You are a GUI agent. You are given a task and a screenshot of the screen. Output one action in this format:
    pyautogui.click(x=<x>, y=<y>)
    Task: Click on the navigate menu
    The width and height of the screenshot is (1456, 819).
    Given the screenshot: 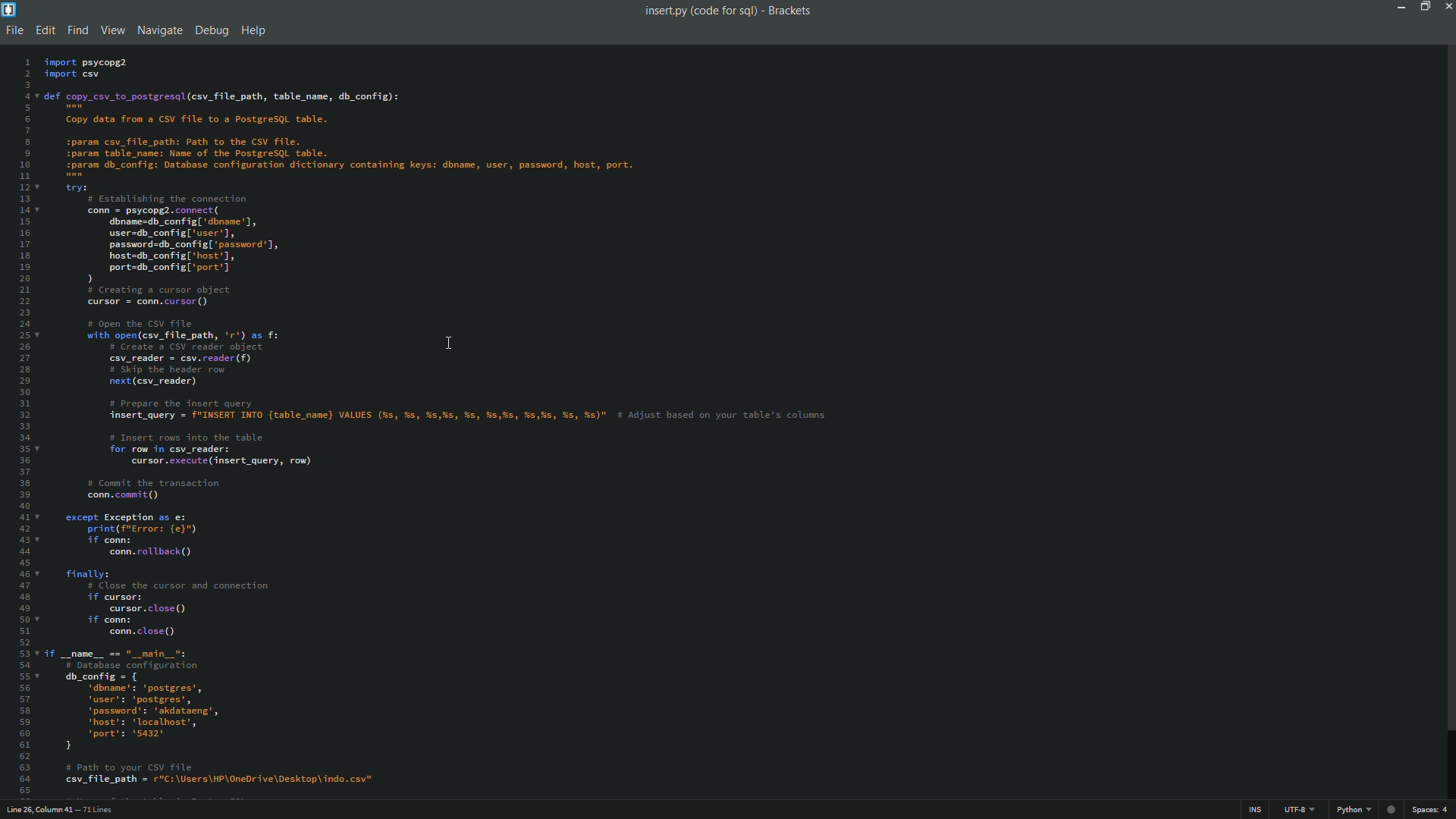 What is the action you would take?
    pyautogui.click(x=159, y=30)
    